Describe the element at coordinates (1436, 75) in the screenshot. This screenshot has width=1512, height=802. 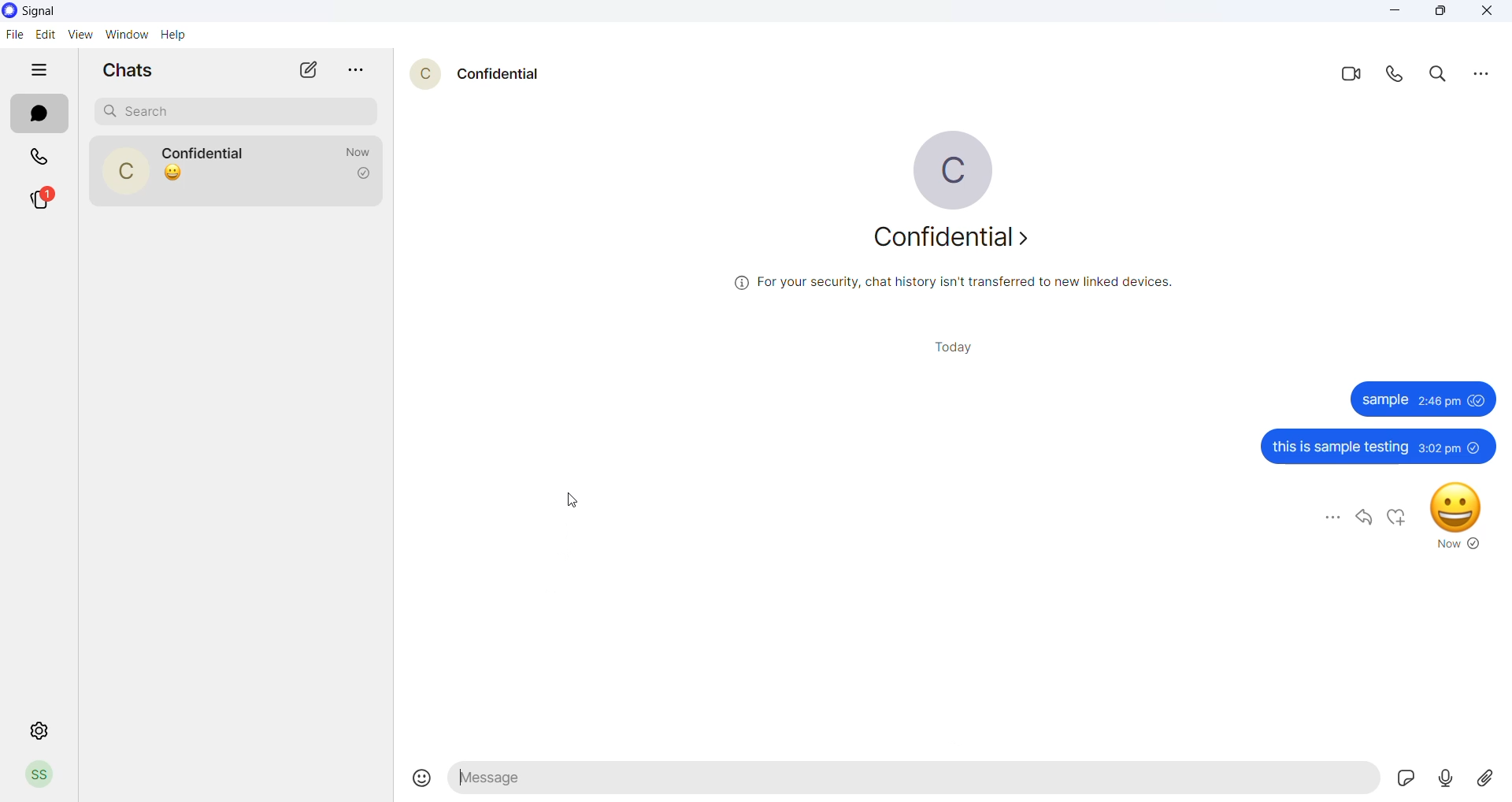
I see `search in messages` at that location.